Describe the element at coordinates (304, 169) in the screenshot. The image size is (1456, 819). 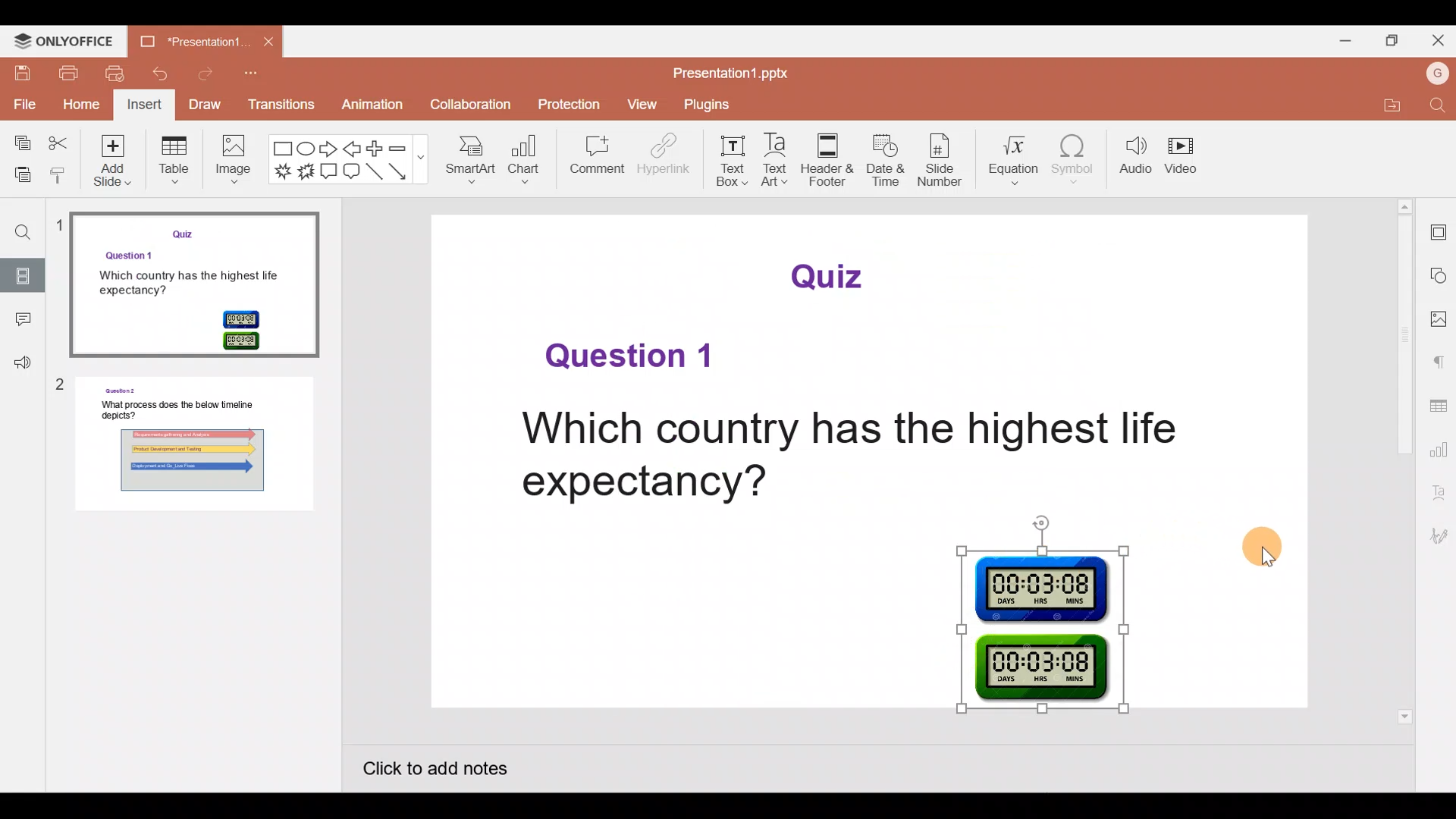
I see `Explosion 2` at that location.